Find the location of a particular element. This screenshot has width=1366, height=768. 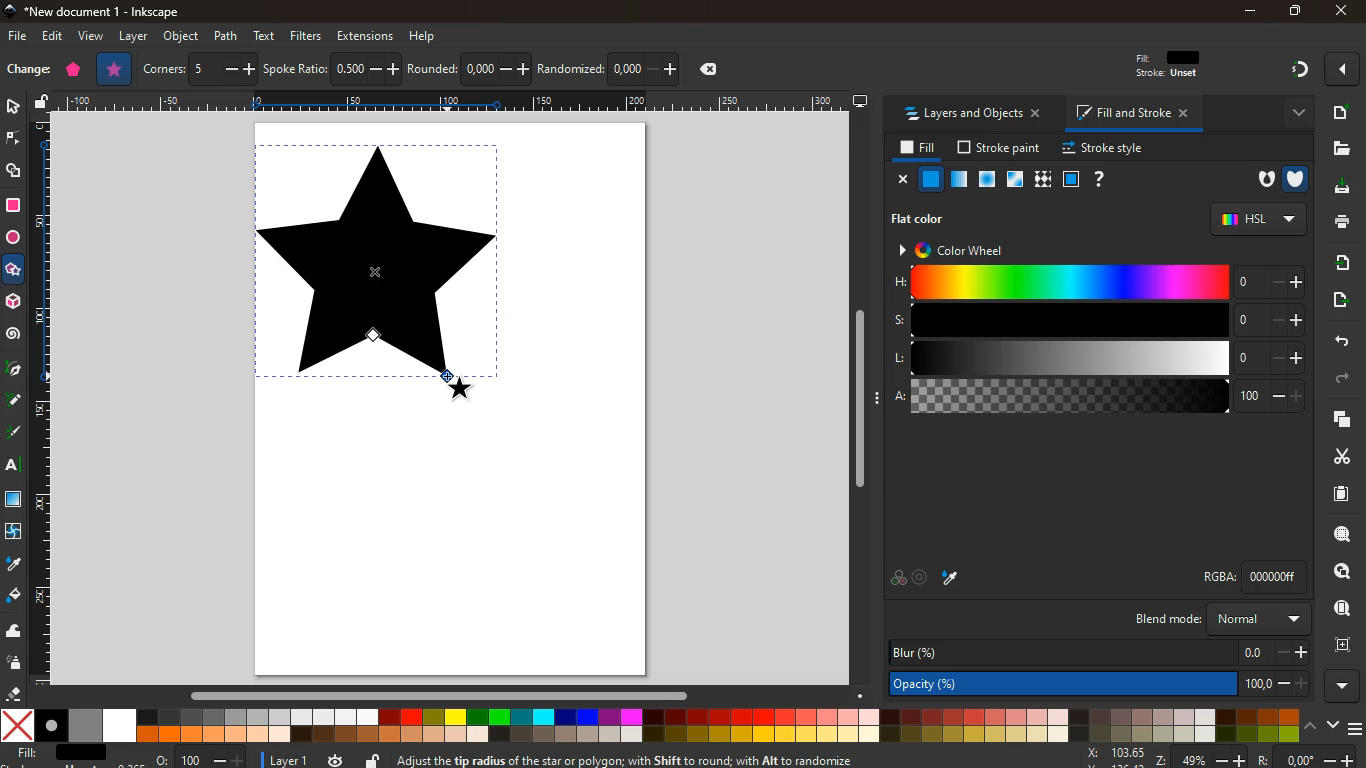

hsl is located at coordinates (1258, 218).